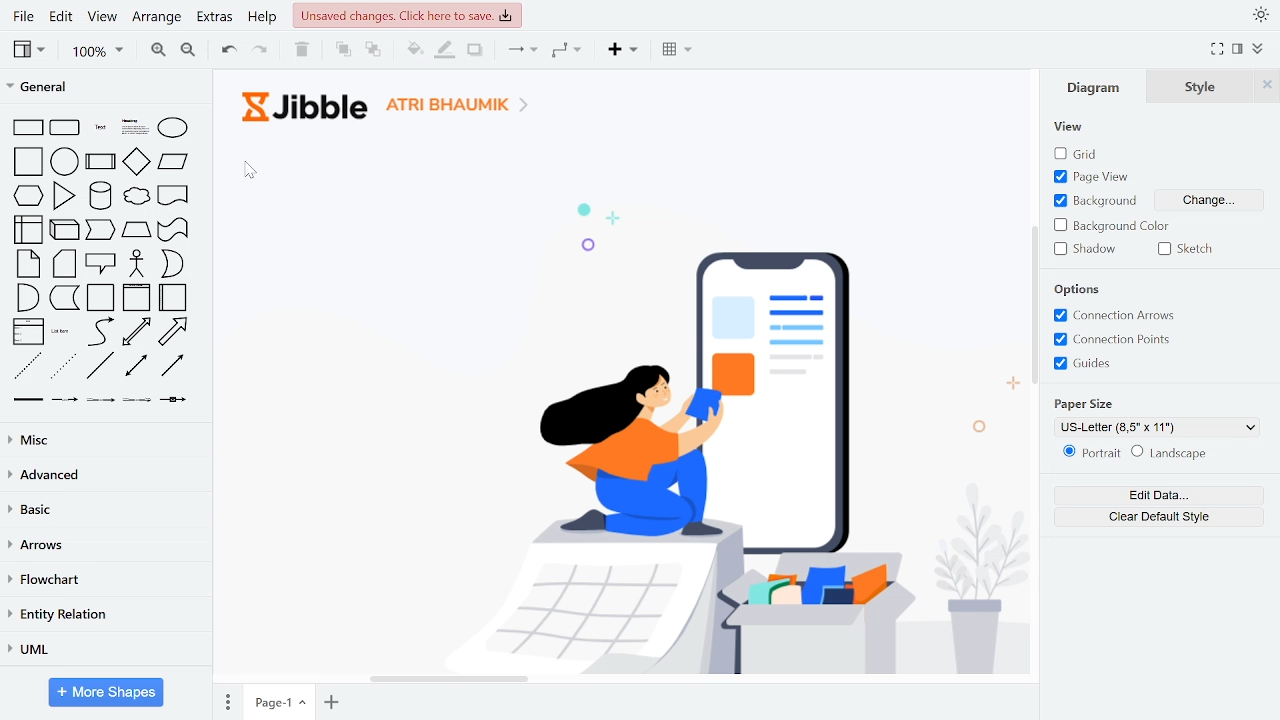 The height and width of the screenshot is (720, 1280). What do you see at coordinates (1162, 495) in the screenshot?
I see `edit data` at bounding box center [1162, 495].